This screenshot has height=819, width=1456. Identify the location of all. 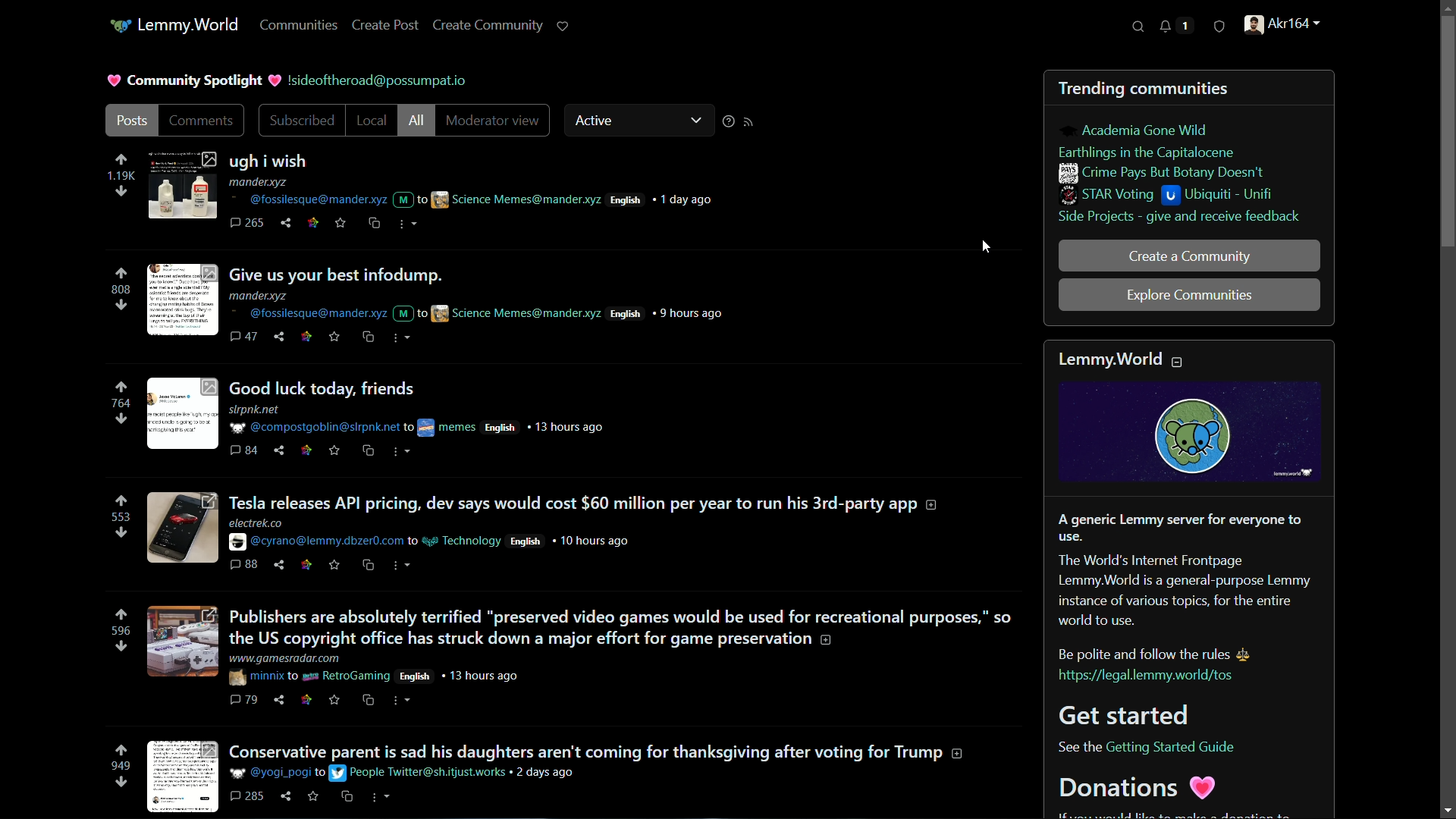
(416, 121).